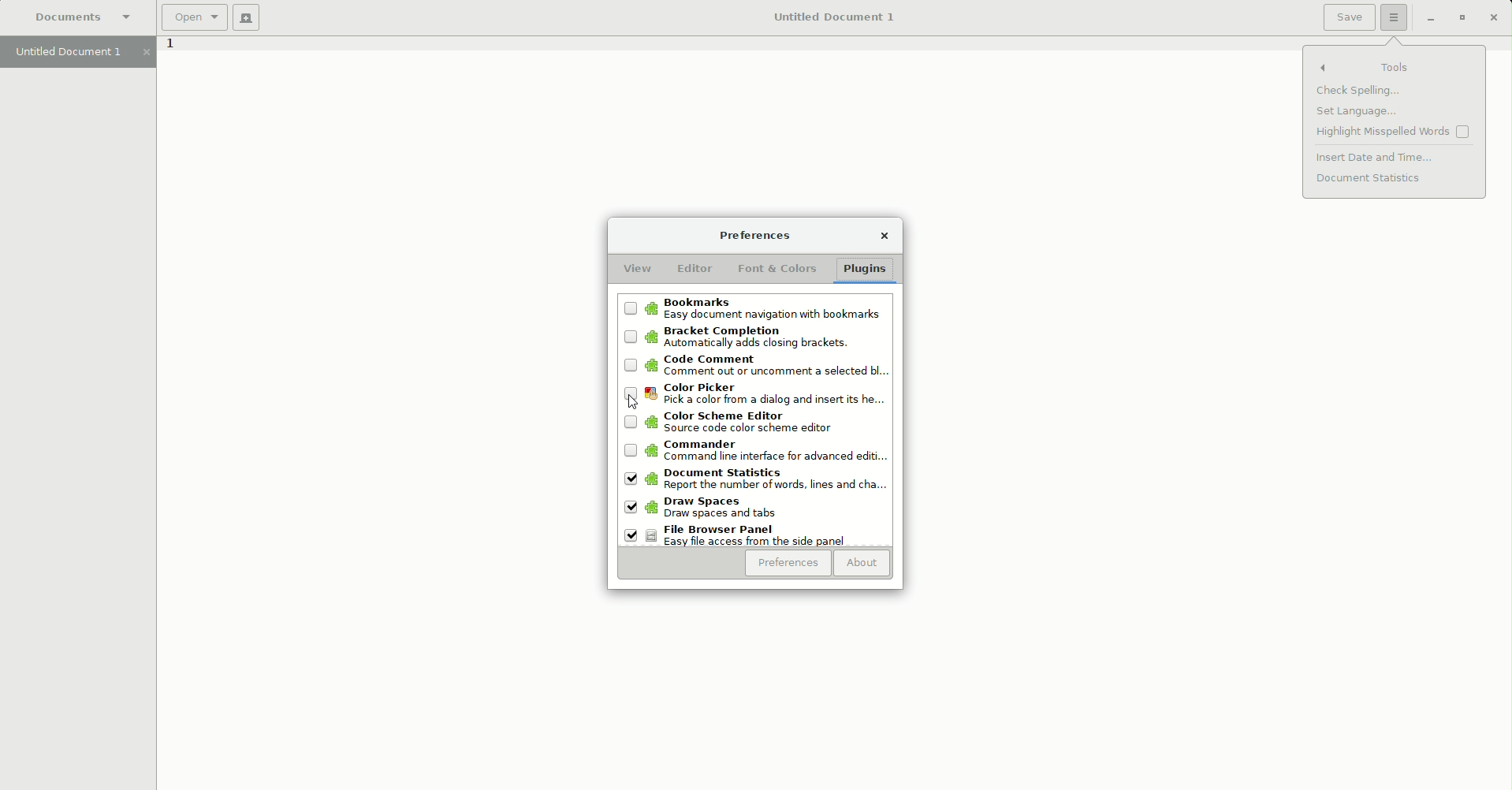 This screenshot has height=790, width=1512. What do you see at coordinates (246, 18) in the screenshot?
I see `New` at bounding box center [246, 18].